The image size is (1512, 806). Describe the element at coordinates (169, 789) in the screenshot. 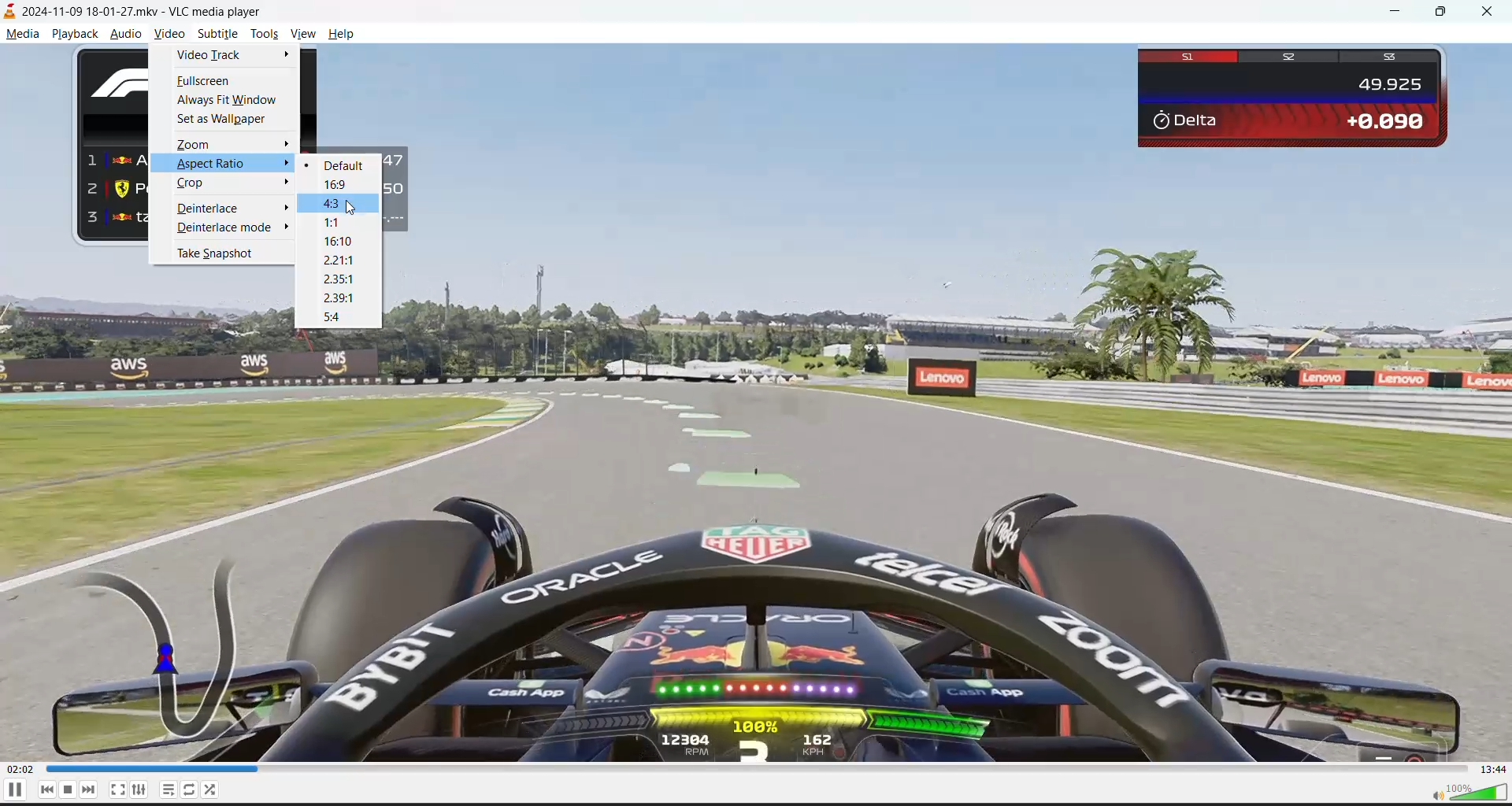

I see `toggle playlist` at that location.